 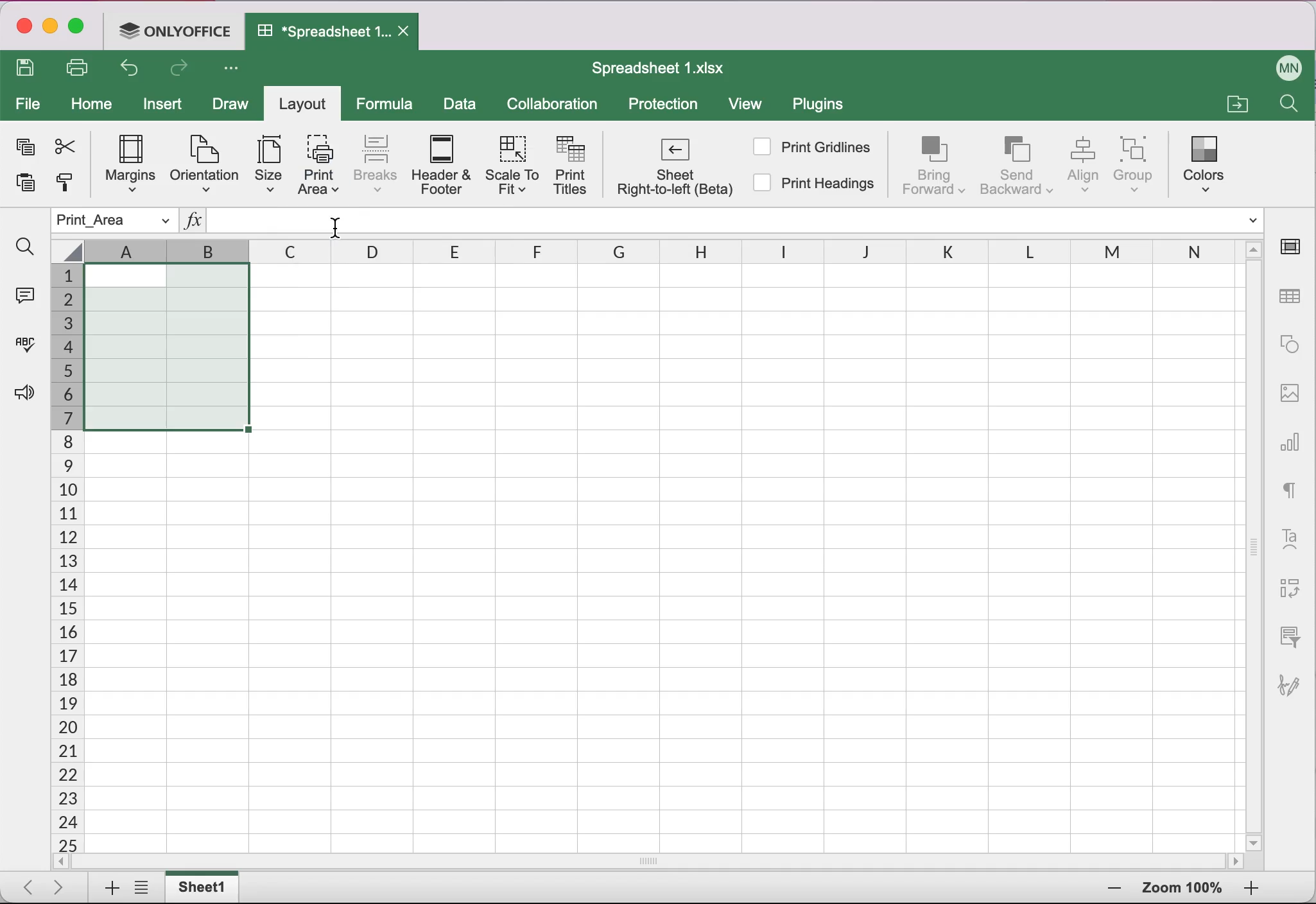 What do you see at coordinates (1287, 107) in the screenshot?
I see `Find` at bounding box center [1287, 107].